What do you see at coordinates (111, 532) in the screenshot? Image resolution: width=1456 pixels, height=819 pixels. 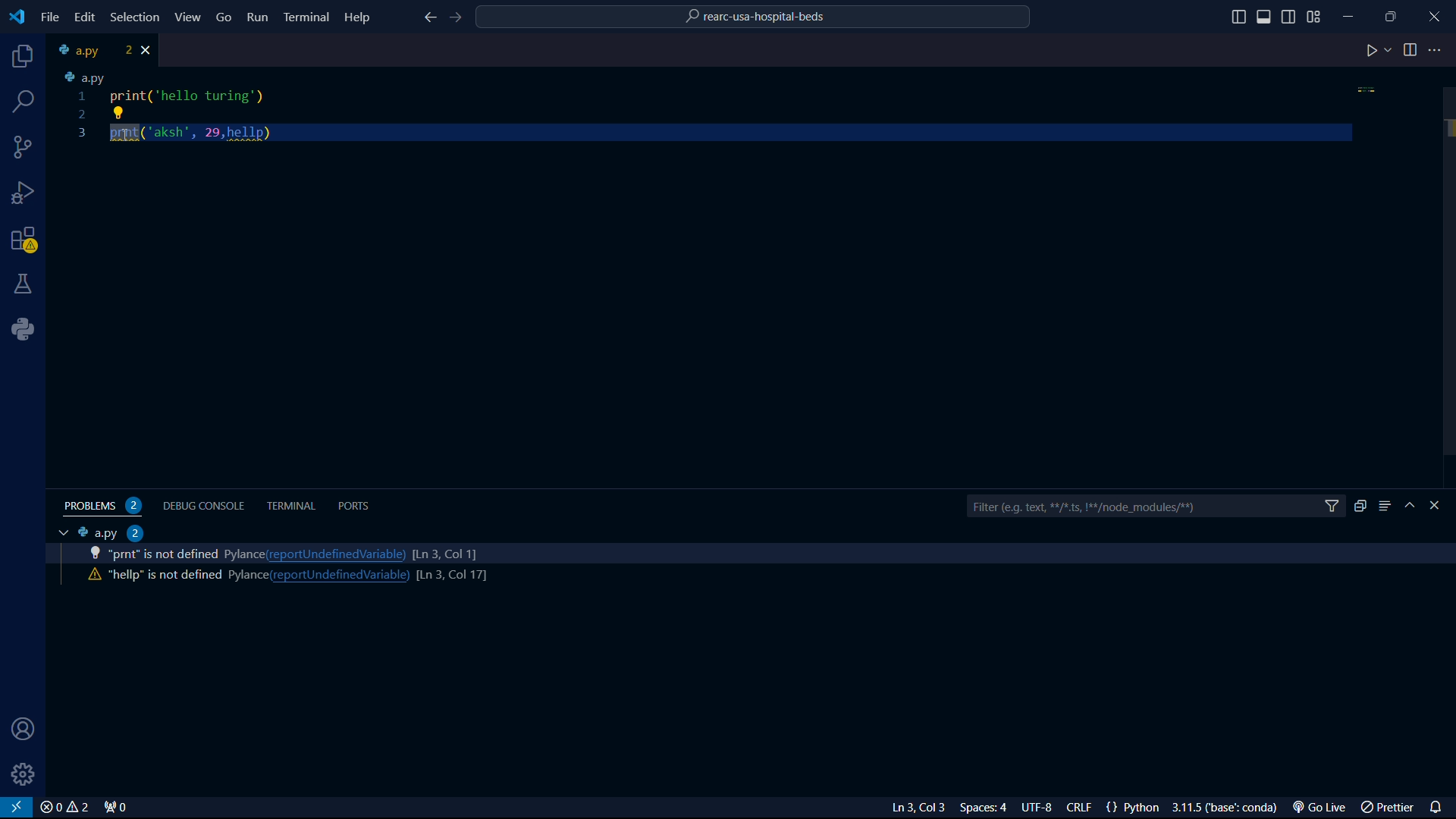 I see `a.py 2` at bounding box center [111, 532].